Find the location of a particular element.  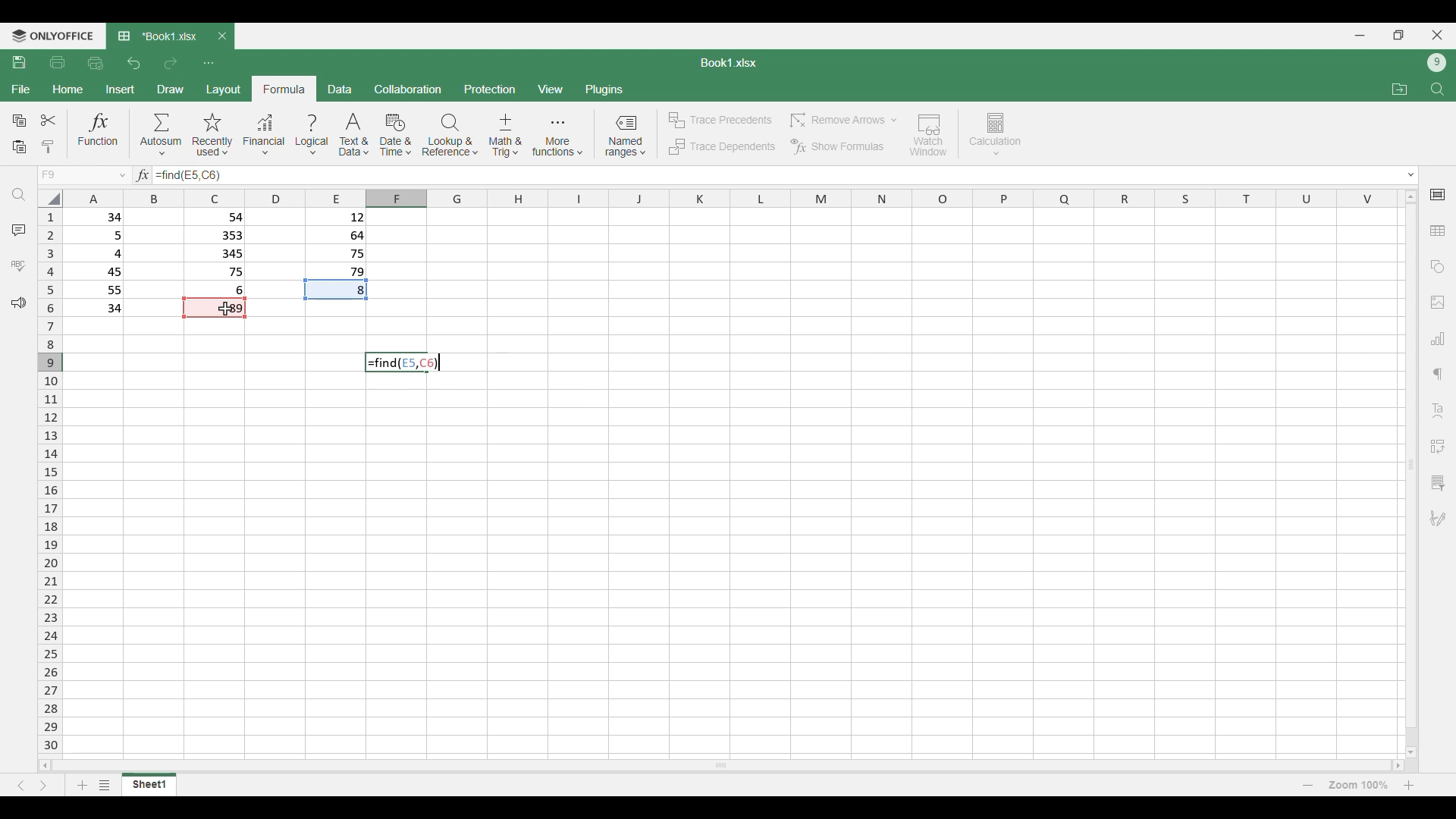

View menu is located at coordinates (550, 89).